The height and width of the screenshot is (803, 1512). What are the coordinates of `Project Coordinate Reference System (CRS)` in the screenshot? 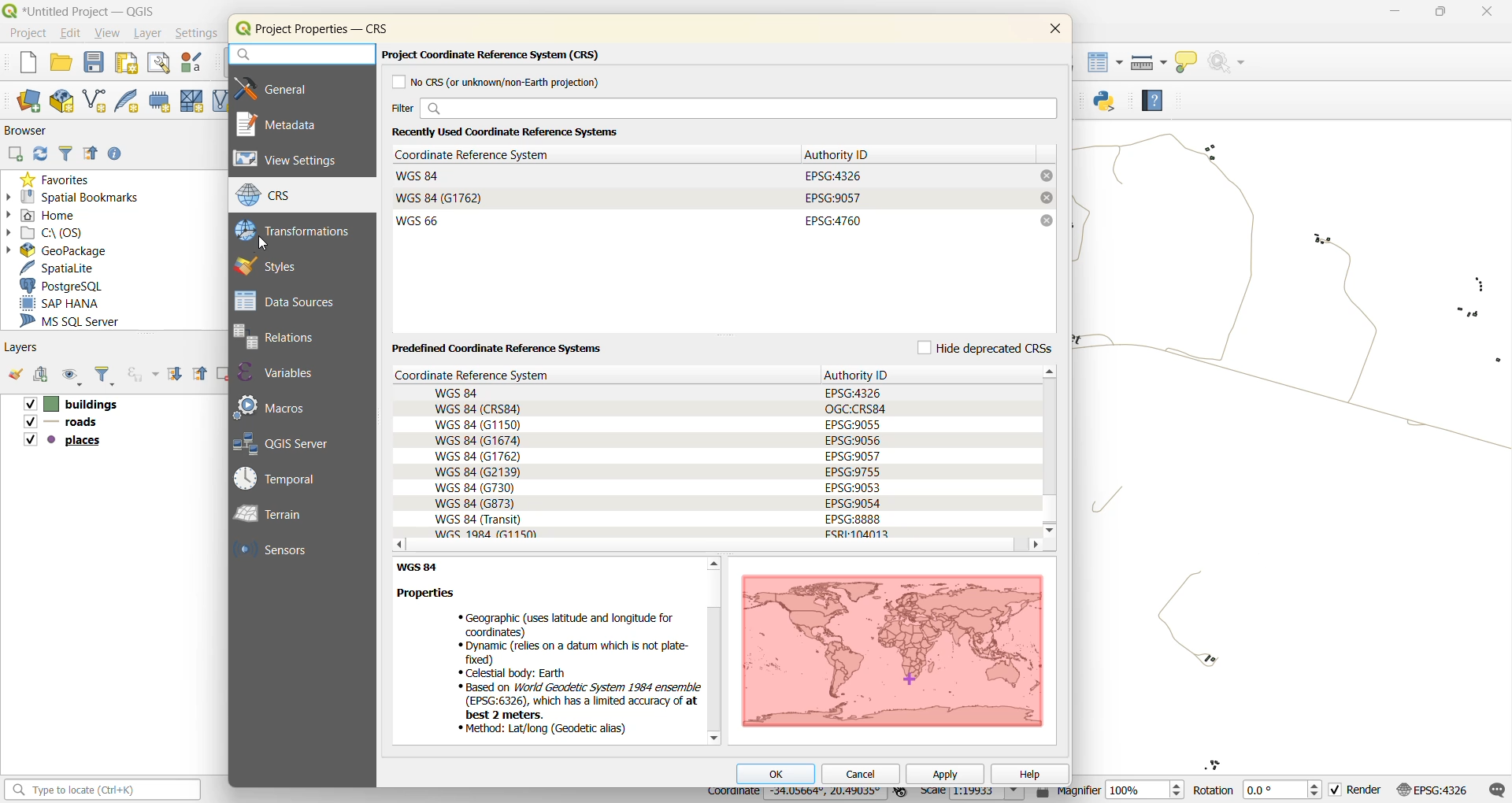 It's located at (496, 56).